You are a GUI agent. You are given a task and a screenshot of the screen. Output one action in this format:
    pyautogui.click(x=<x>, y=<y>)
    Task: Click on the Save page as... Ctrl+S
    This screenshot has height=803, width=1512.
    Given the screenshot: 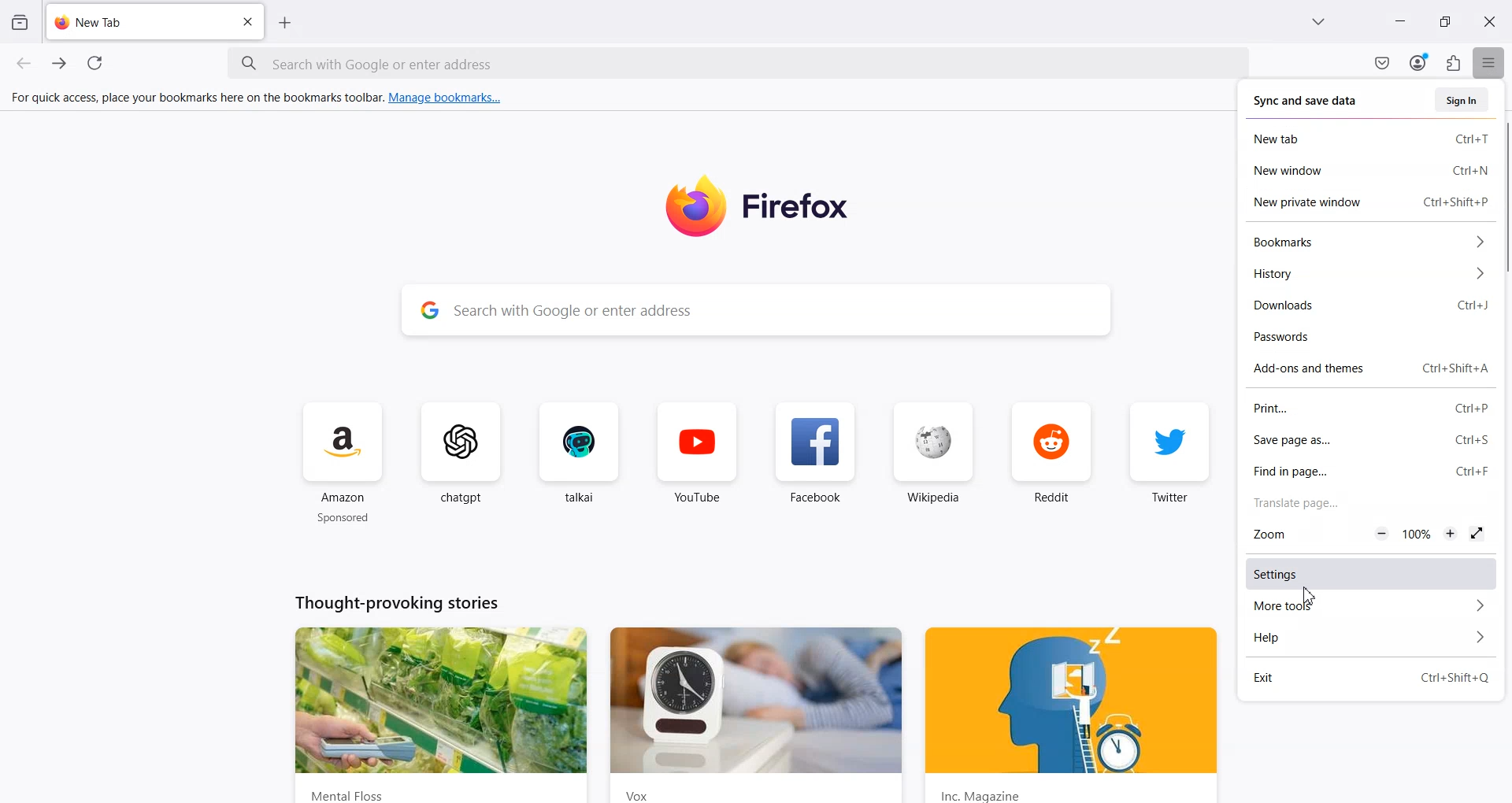 What is the action you would take?
    pyautogui.click(x=1373, y=439)
    